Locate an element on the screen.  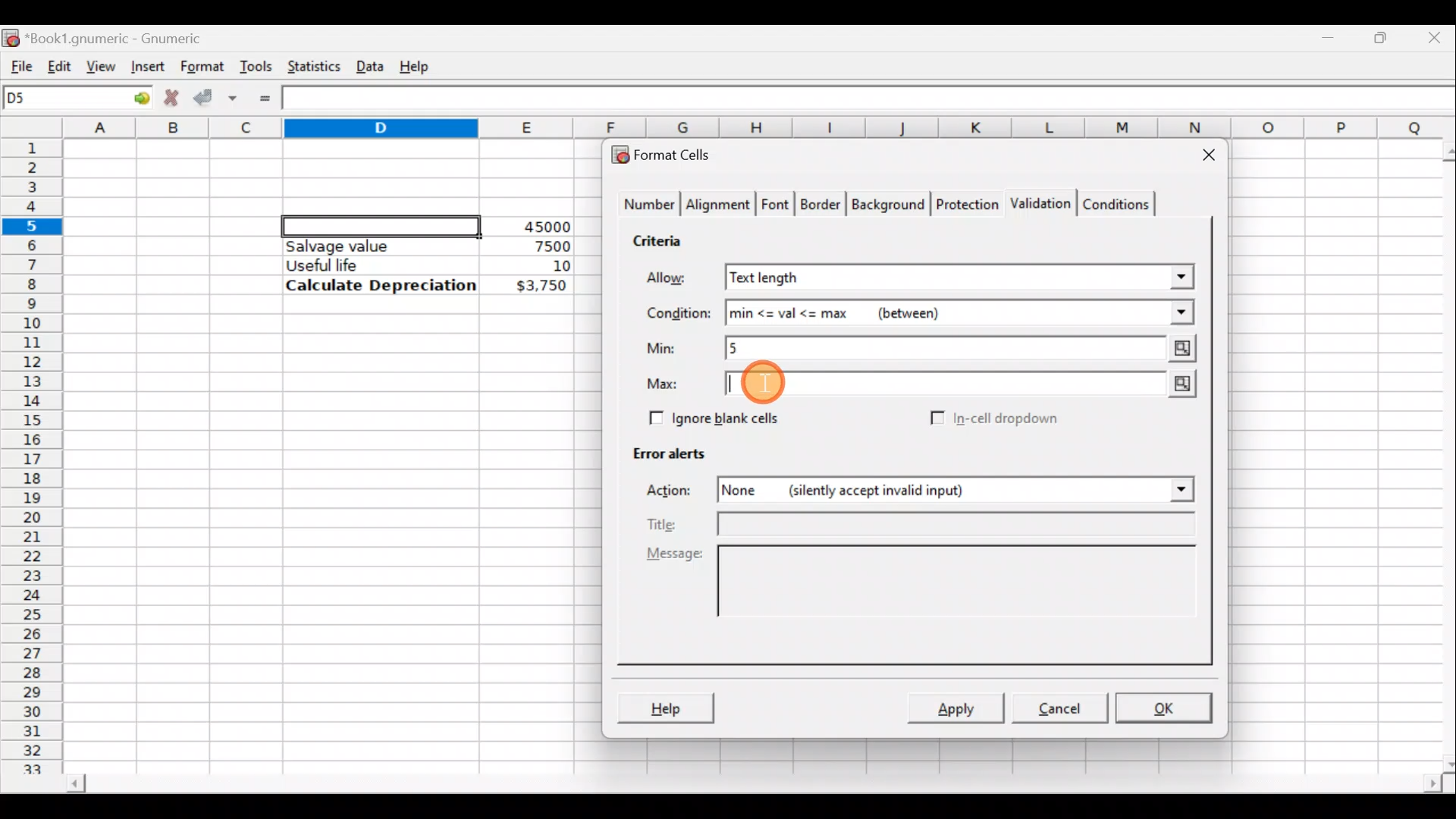
Book1.gnumeric - Gnumeric is located at coordinates (124, 37).